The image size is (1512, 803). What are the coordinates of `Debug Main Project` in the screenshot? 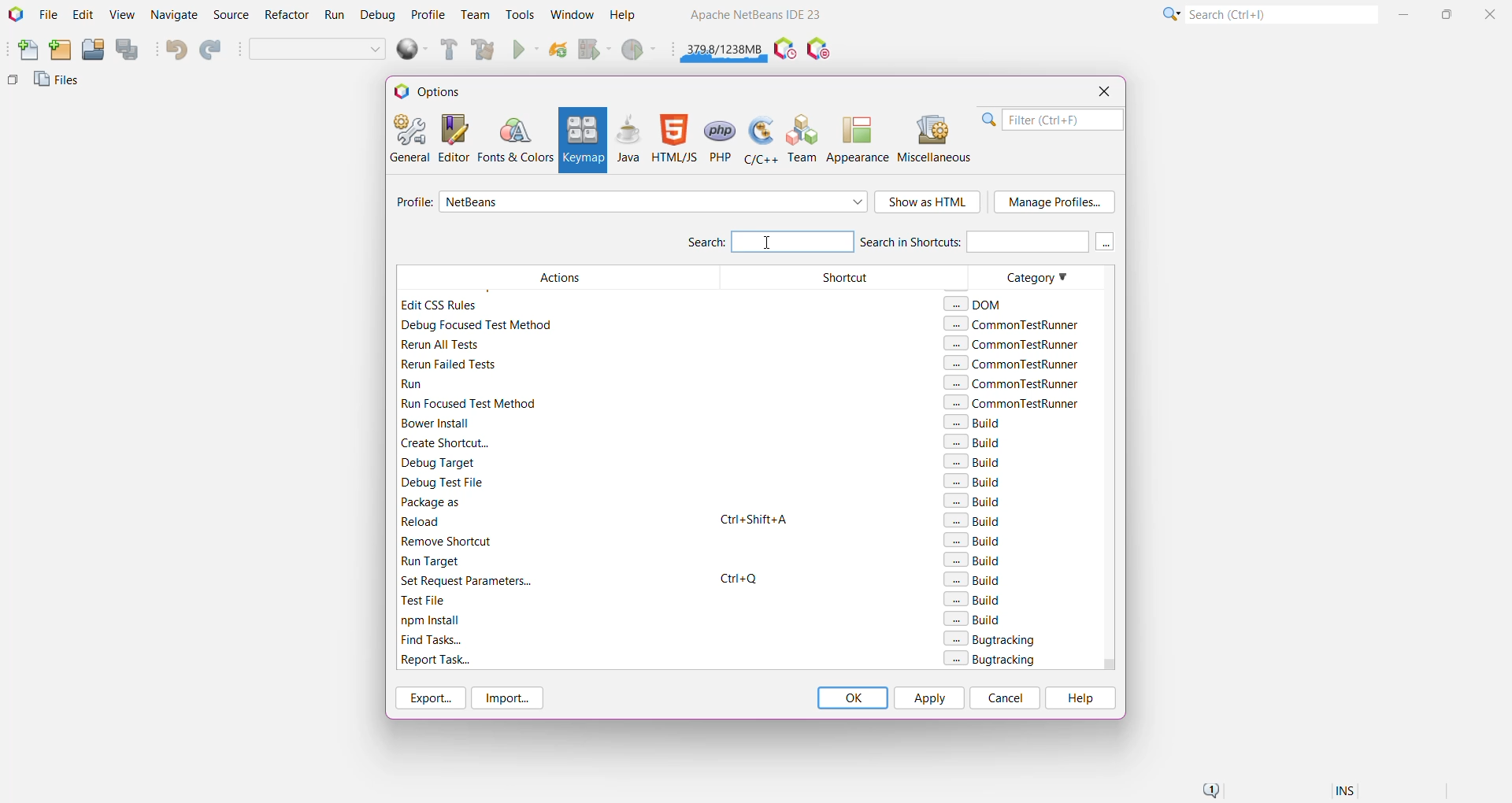 It's located at (594, 50).